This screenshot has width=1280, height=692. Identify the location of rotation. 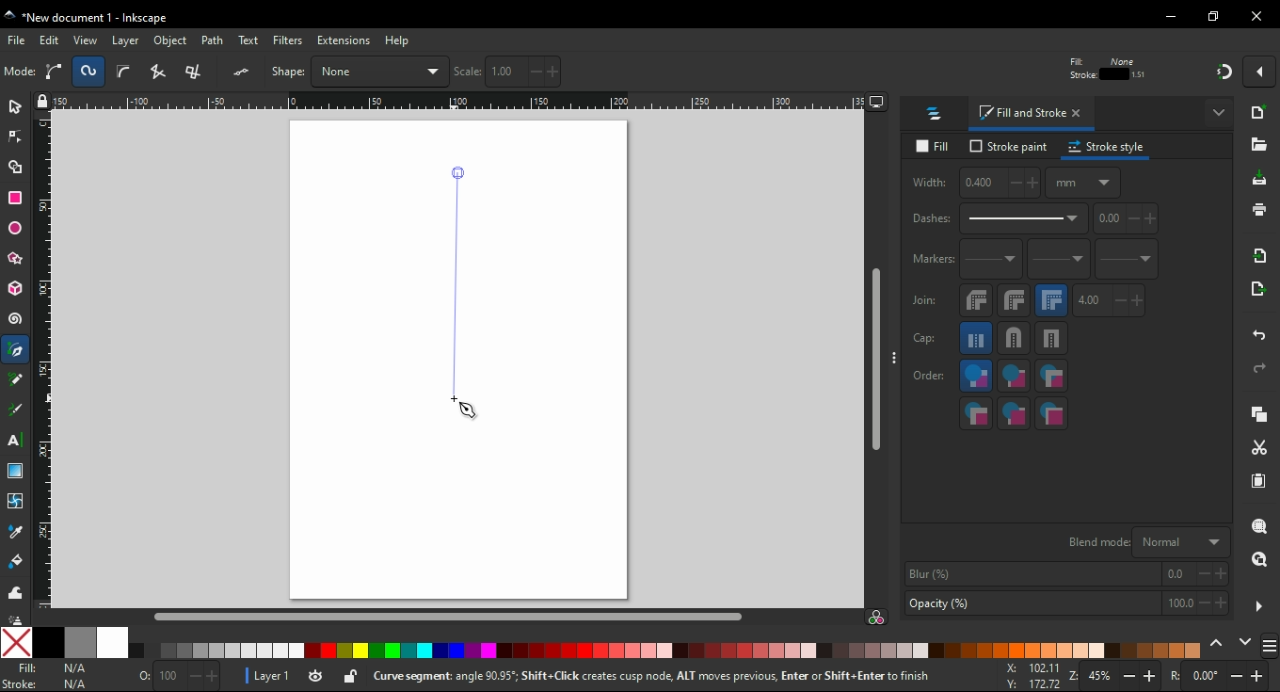
(1218, 677).